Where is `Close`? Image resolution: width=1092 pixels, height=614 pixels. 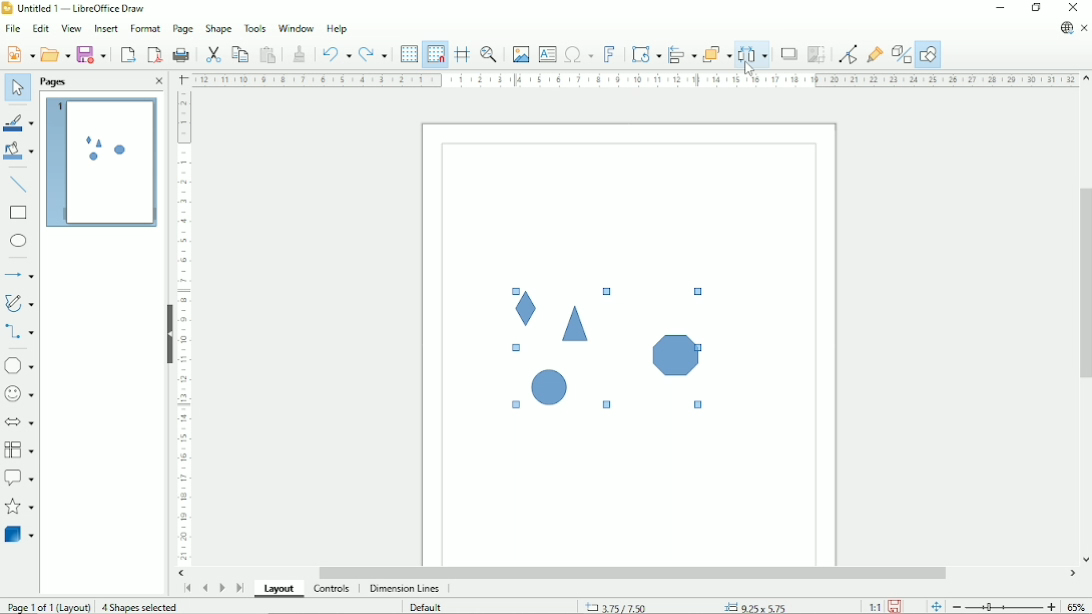 Close is located at coordinates (1076, 8).